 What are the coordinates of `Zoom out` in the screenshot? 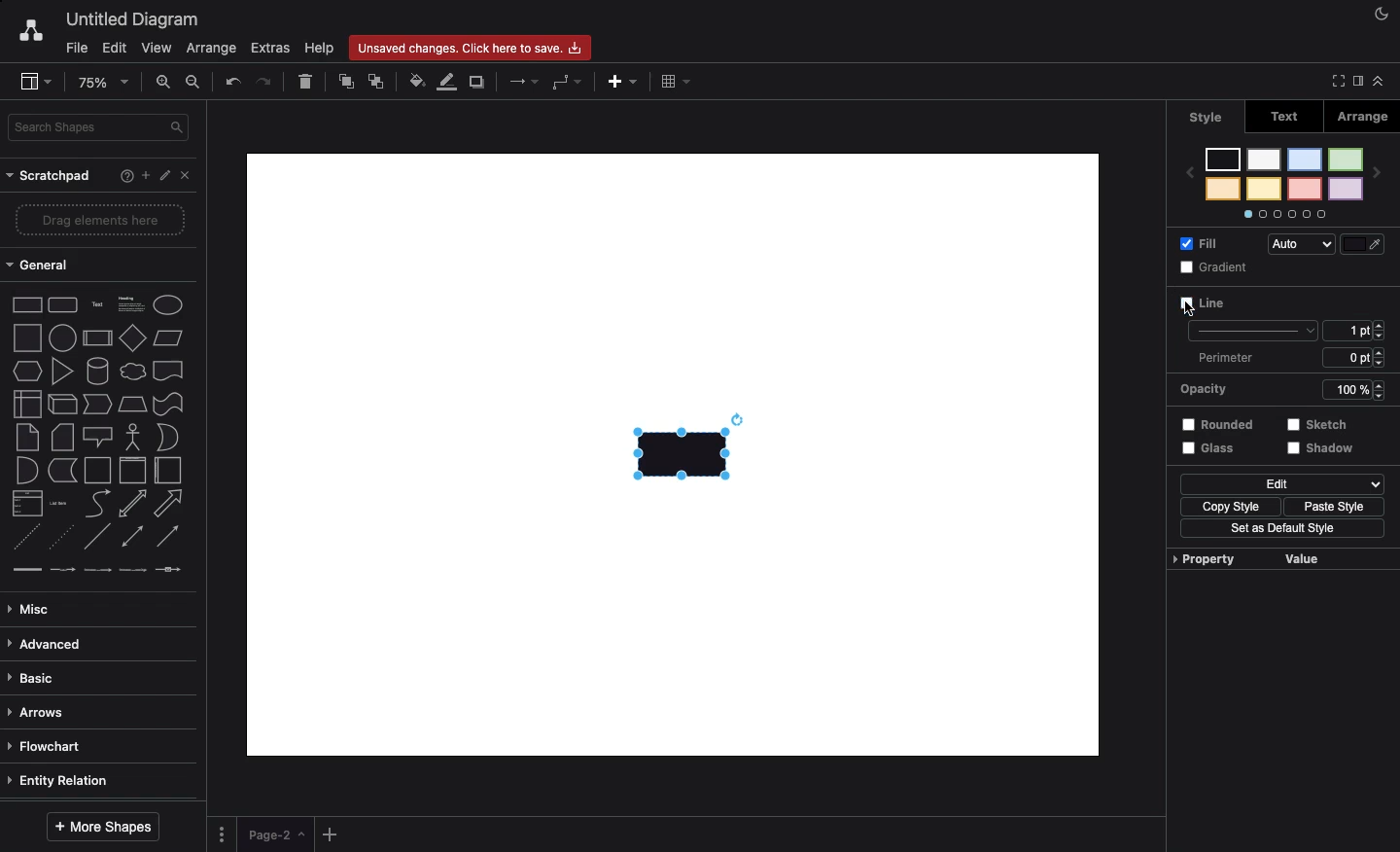 It's located at (193, 82).